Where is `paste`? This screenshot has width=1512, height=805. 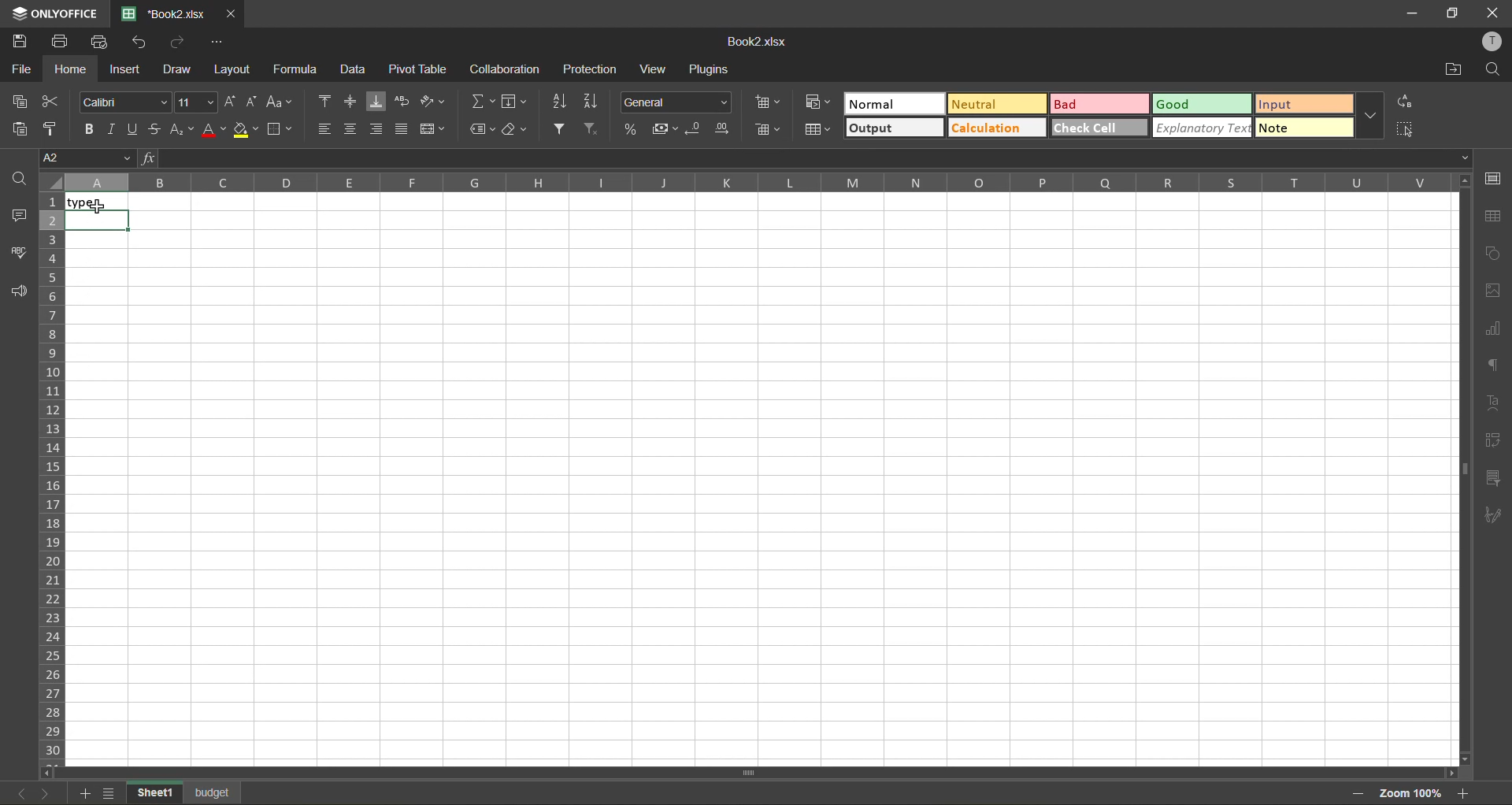 paste is located at coordinates (18, 128).